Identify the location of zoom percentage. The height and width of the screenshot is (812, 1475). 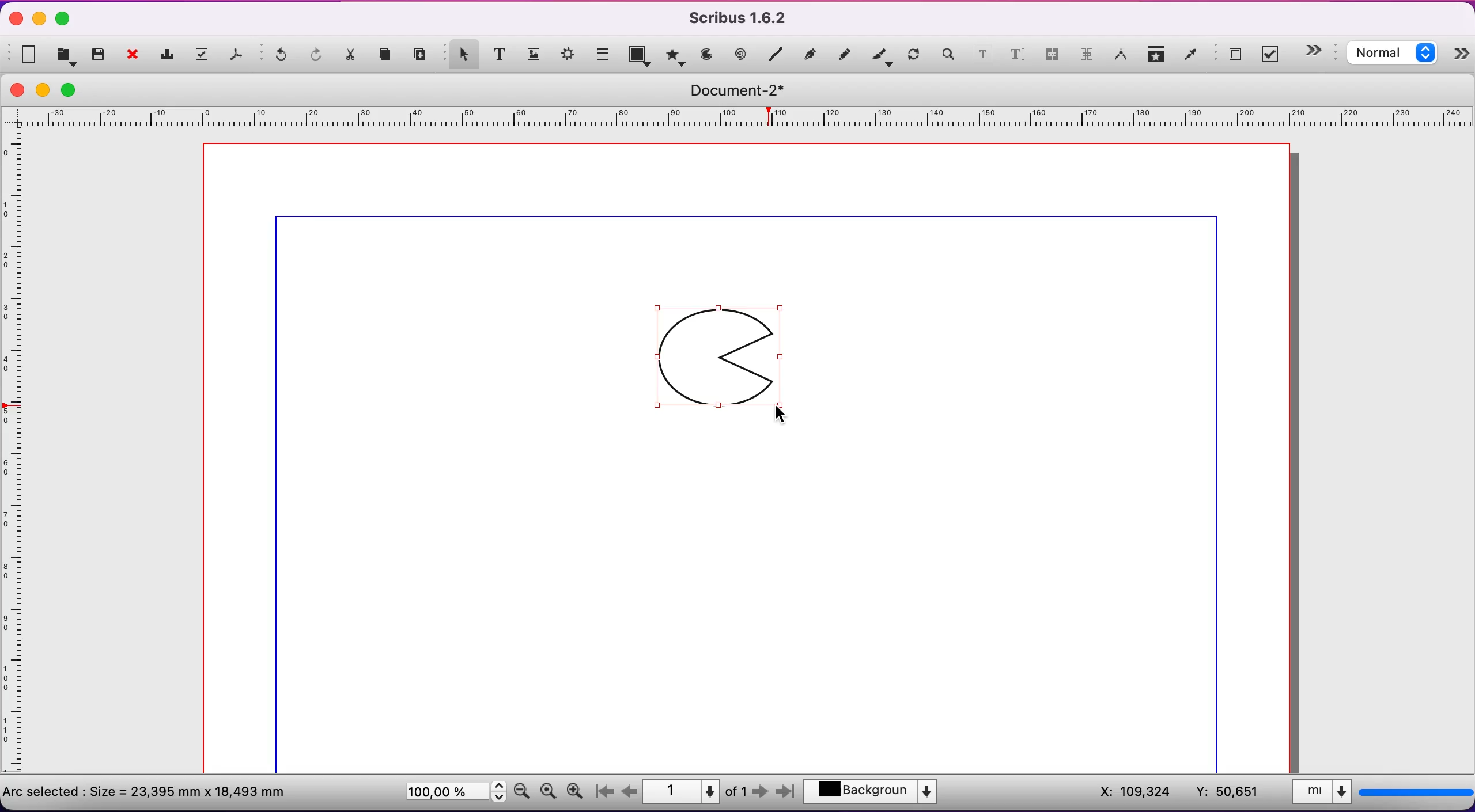
(453, 794).